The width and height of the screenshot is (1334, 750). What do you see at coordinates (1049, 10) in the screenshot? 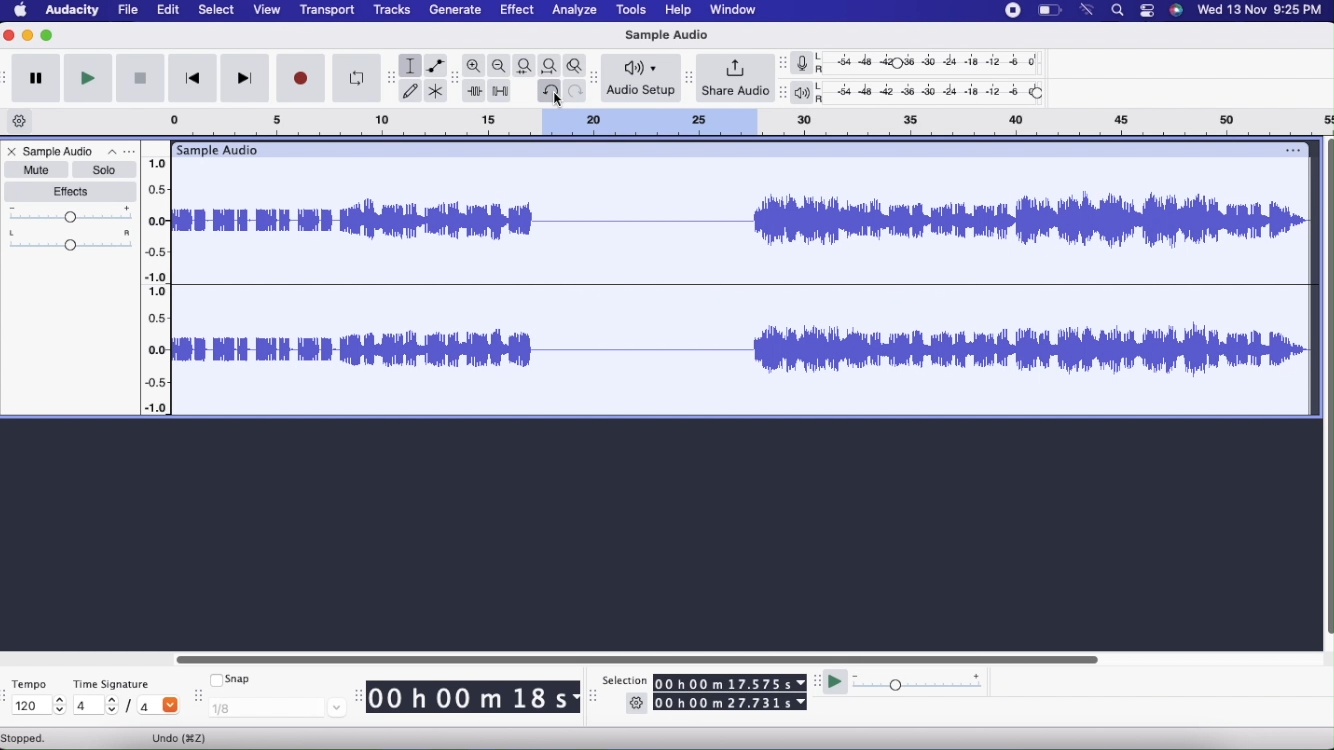
I see `power` at bounding box center [1049, 10].